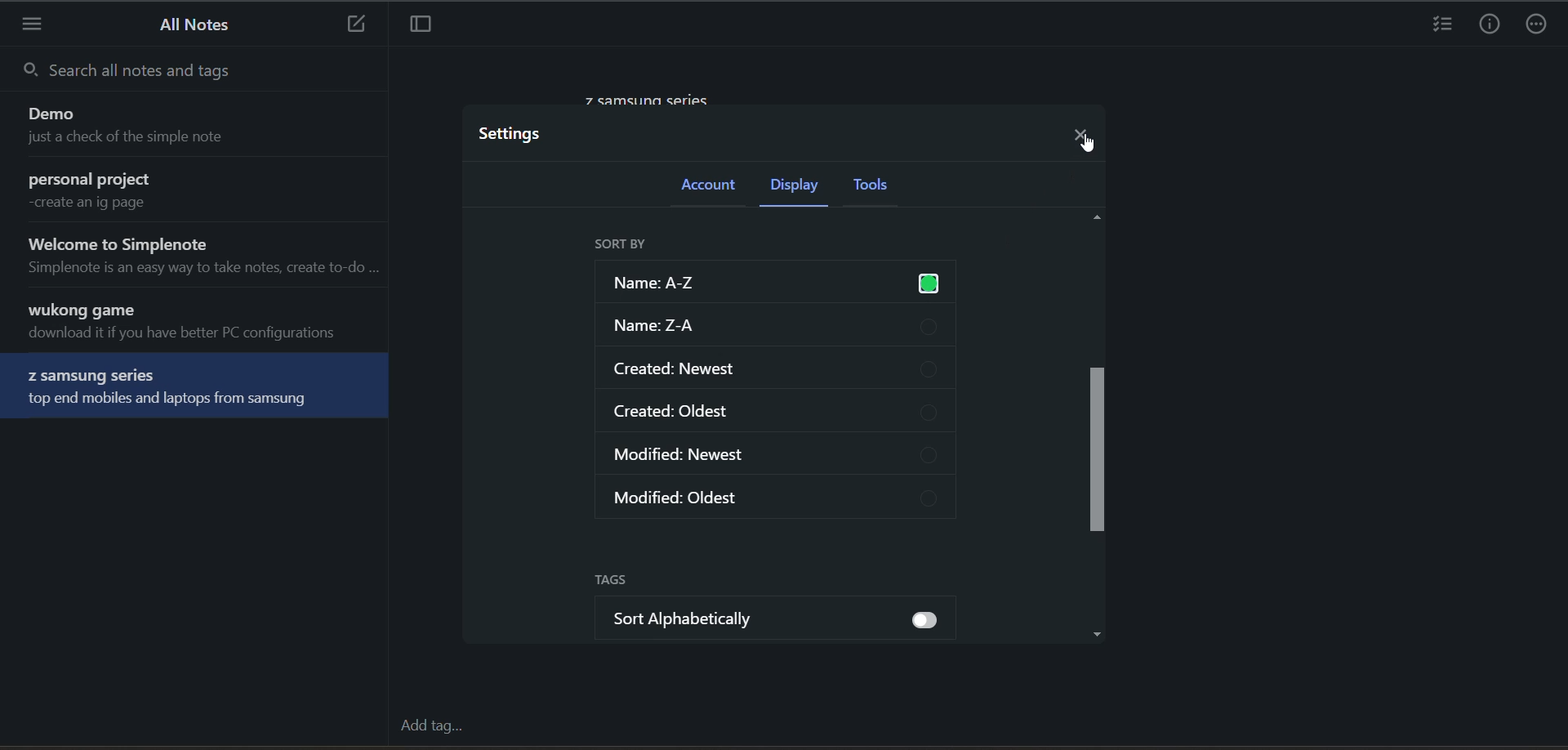 The image size is (1568, 750). I want to click on new note, so click(353, 24).